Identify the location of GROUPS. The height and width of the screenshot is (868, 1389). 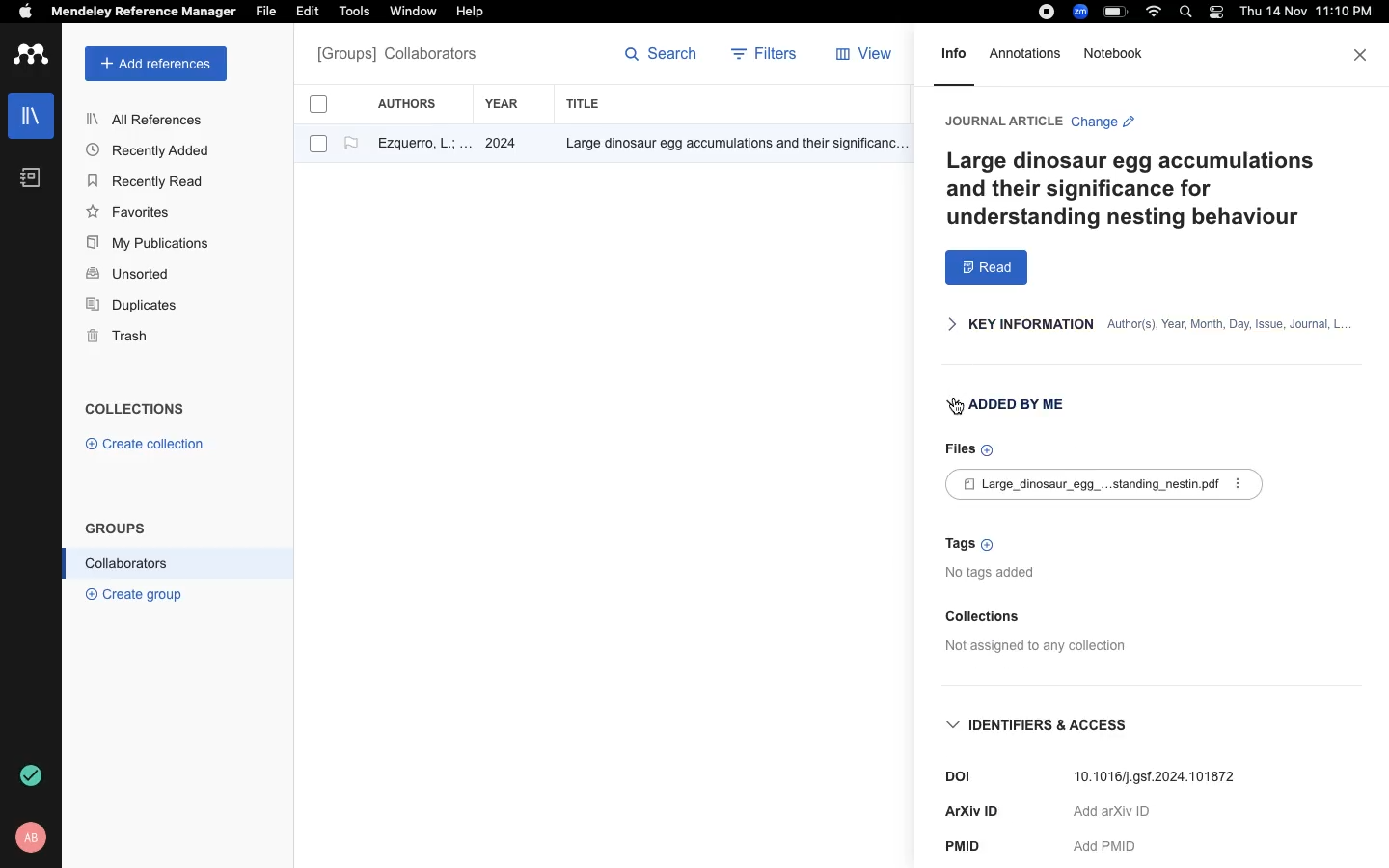
(116, 527).